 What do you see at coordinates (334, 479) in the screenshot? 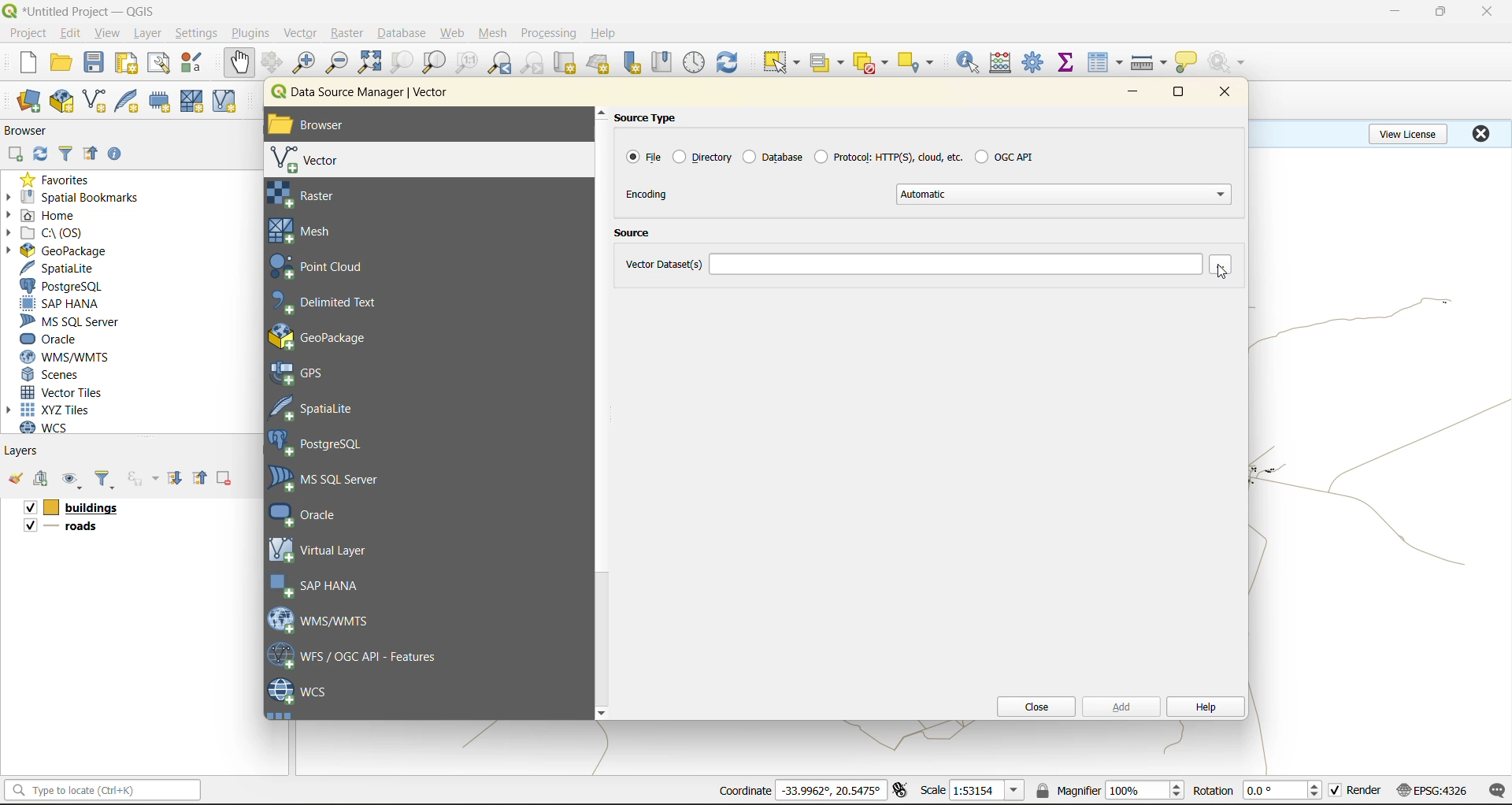
I see `ms sql server` at bounding box center [334, 479].